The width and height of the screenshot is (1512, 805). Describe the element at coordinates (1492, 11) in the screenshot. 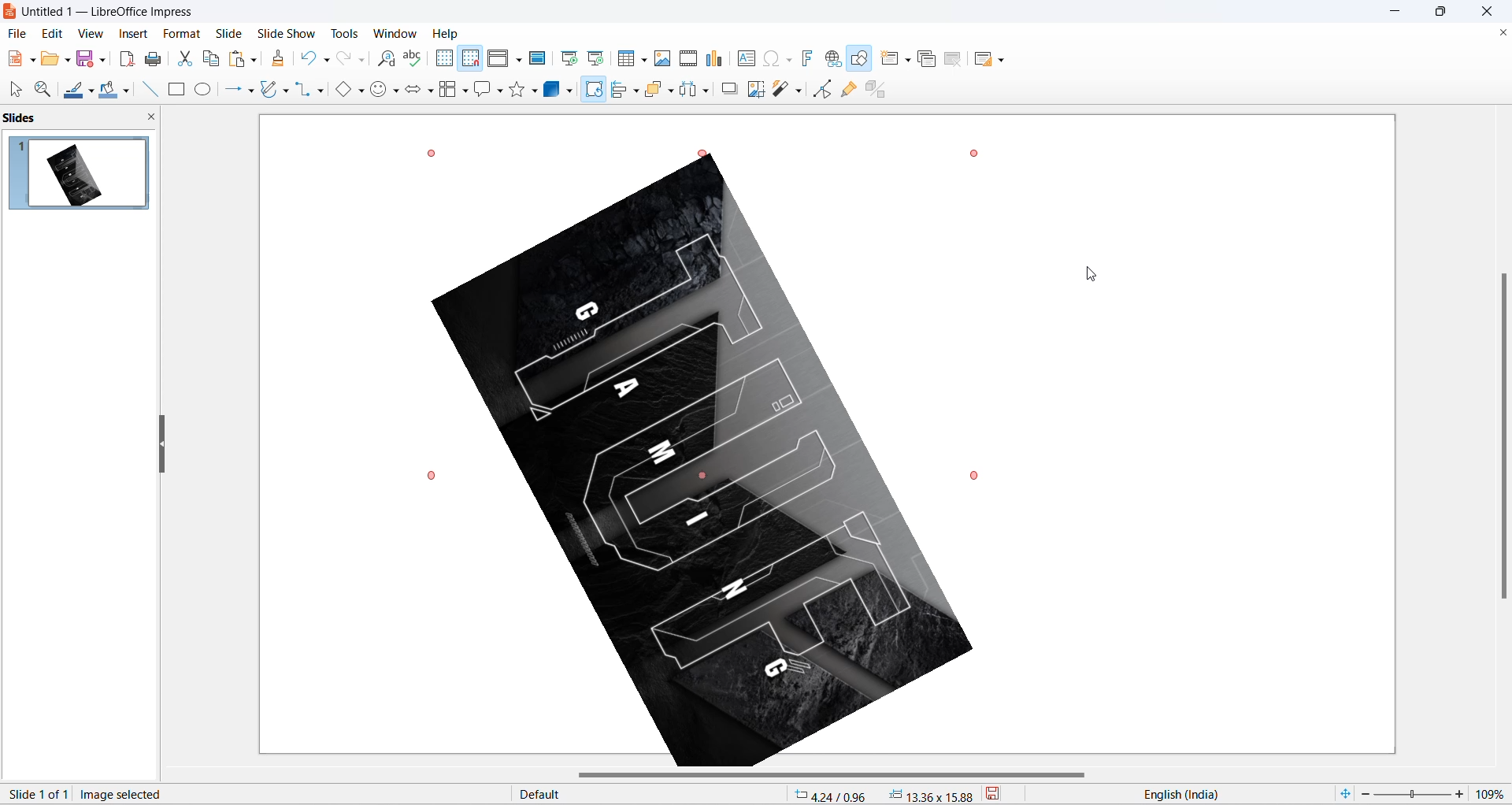

I see `close` at that location.